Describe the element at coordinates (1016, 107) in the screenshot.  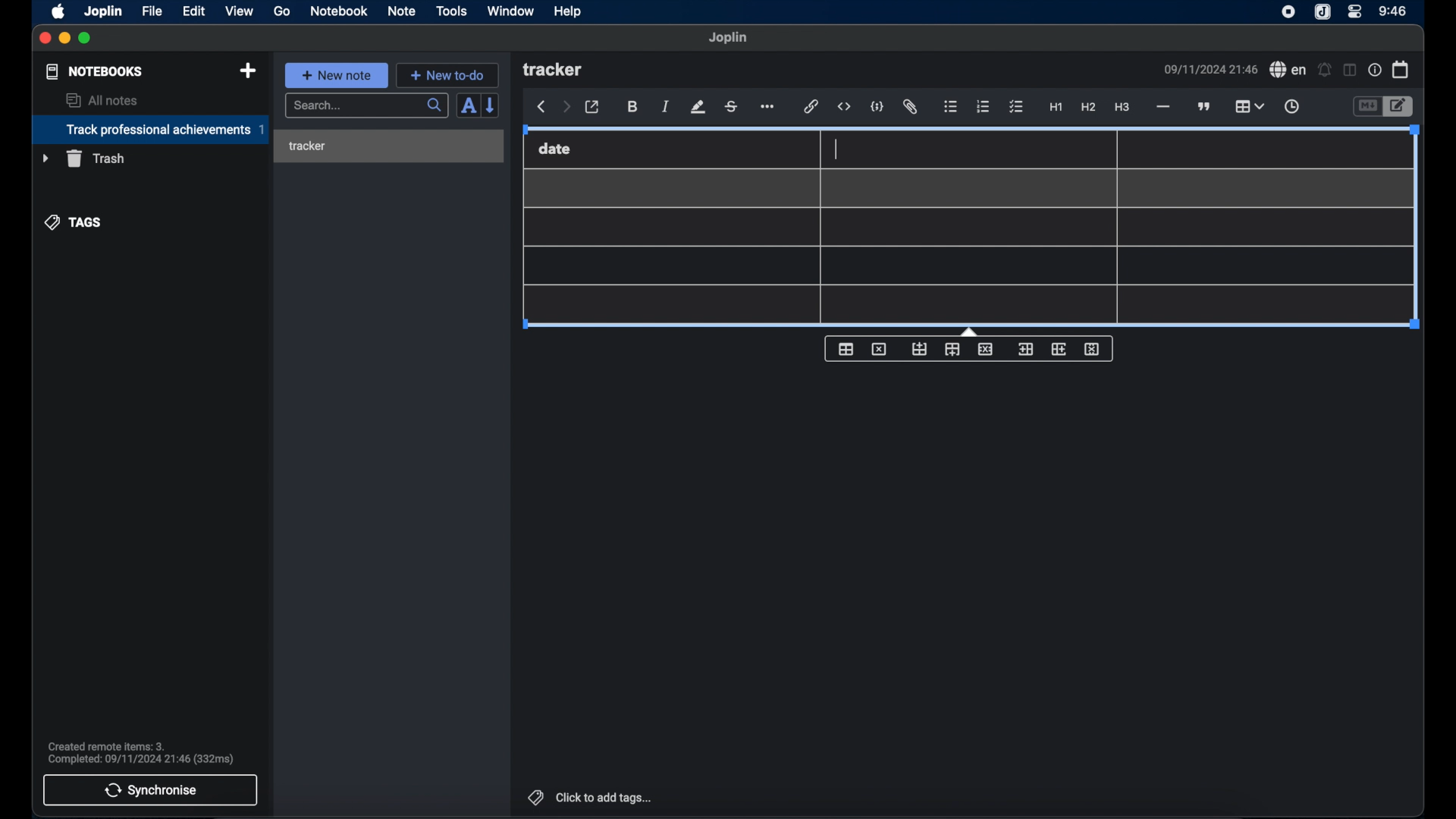
I see `checklist` at that location.